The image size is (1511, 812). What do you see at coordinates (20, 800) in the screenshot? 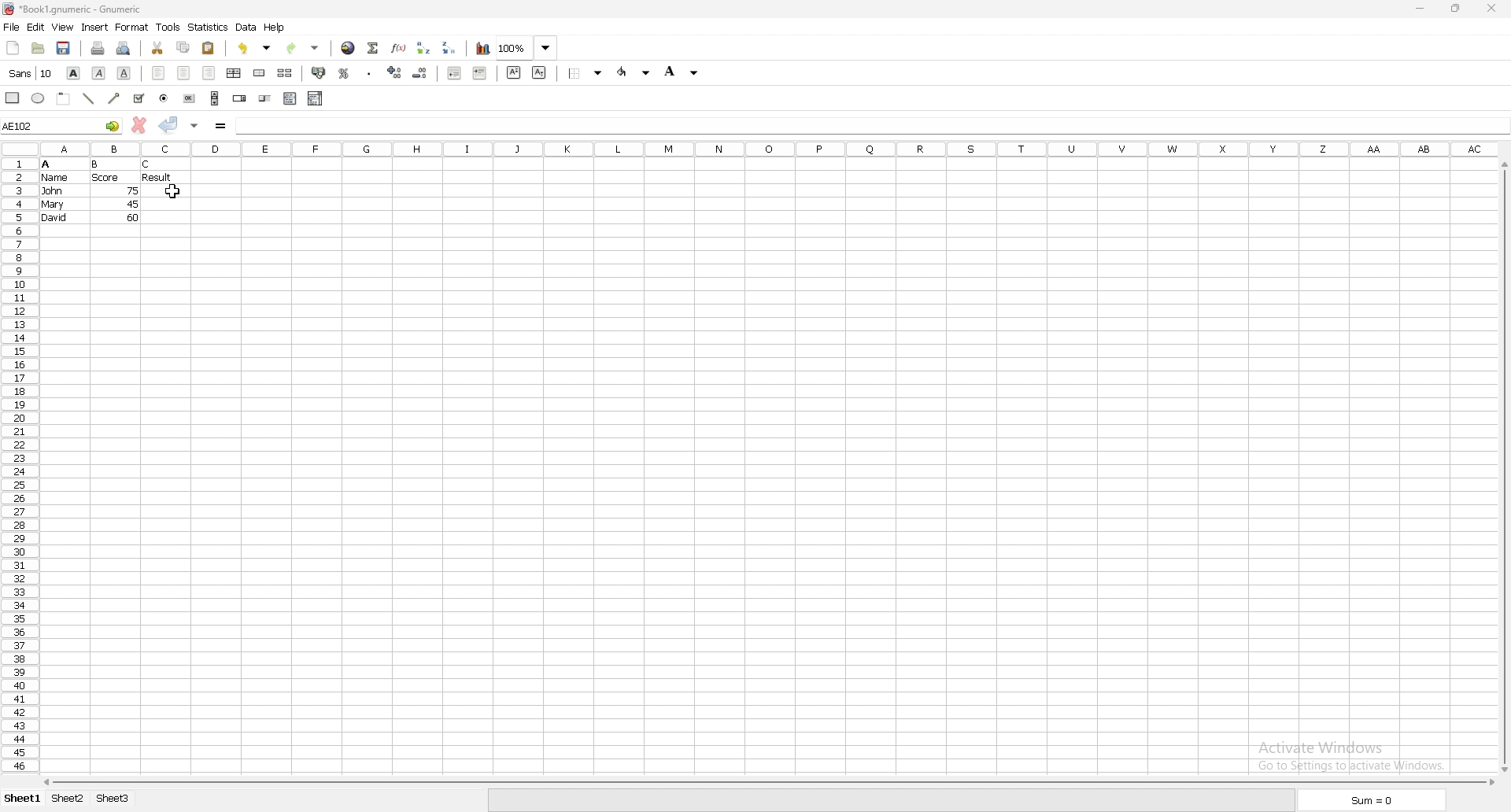
I see `sheet 1` at bounding box center [20, 800].